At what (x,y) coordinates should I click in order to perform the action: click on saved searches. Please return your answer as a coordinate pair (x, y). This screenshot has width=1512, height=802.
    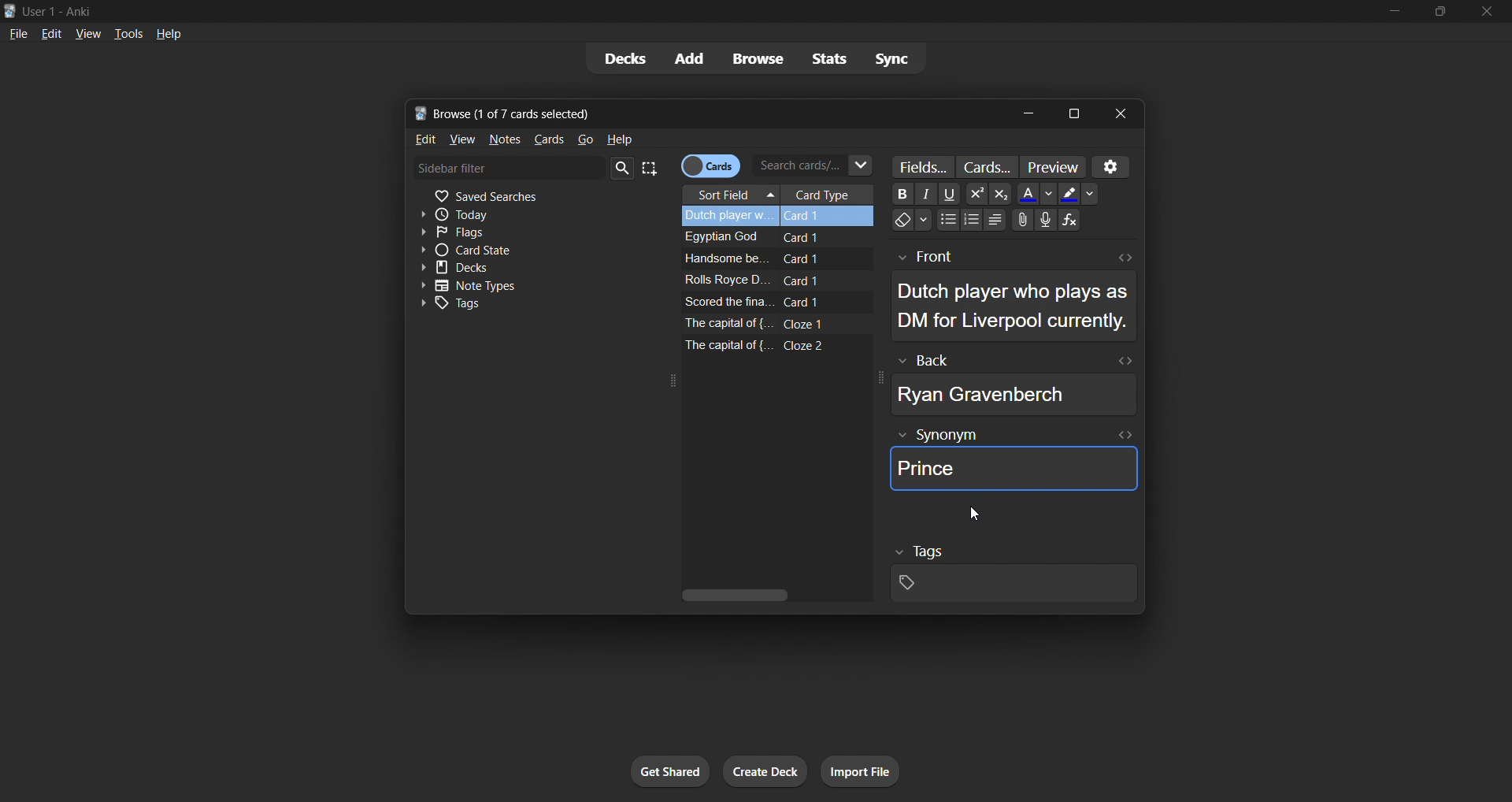
    Looking at the image, I should click on (536, 194).